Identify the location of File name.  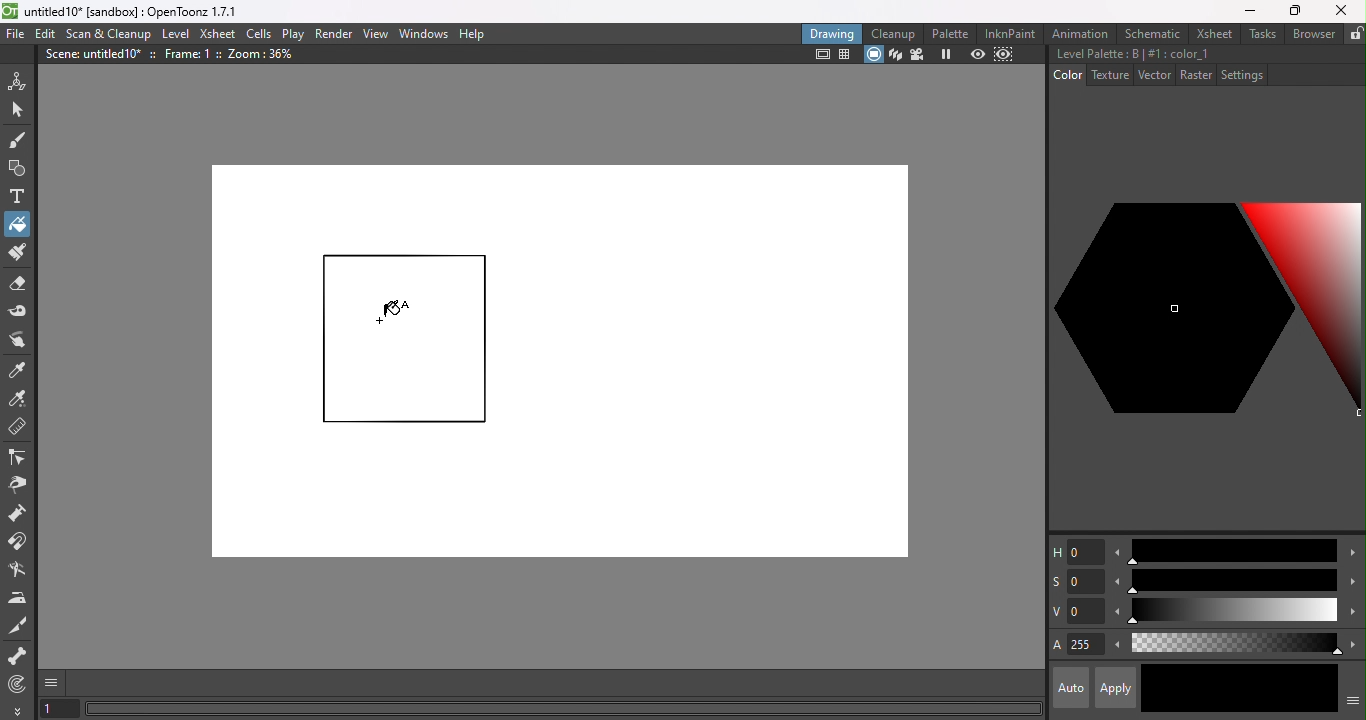
(139, 12).